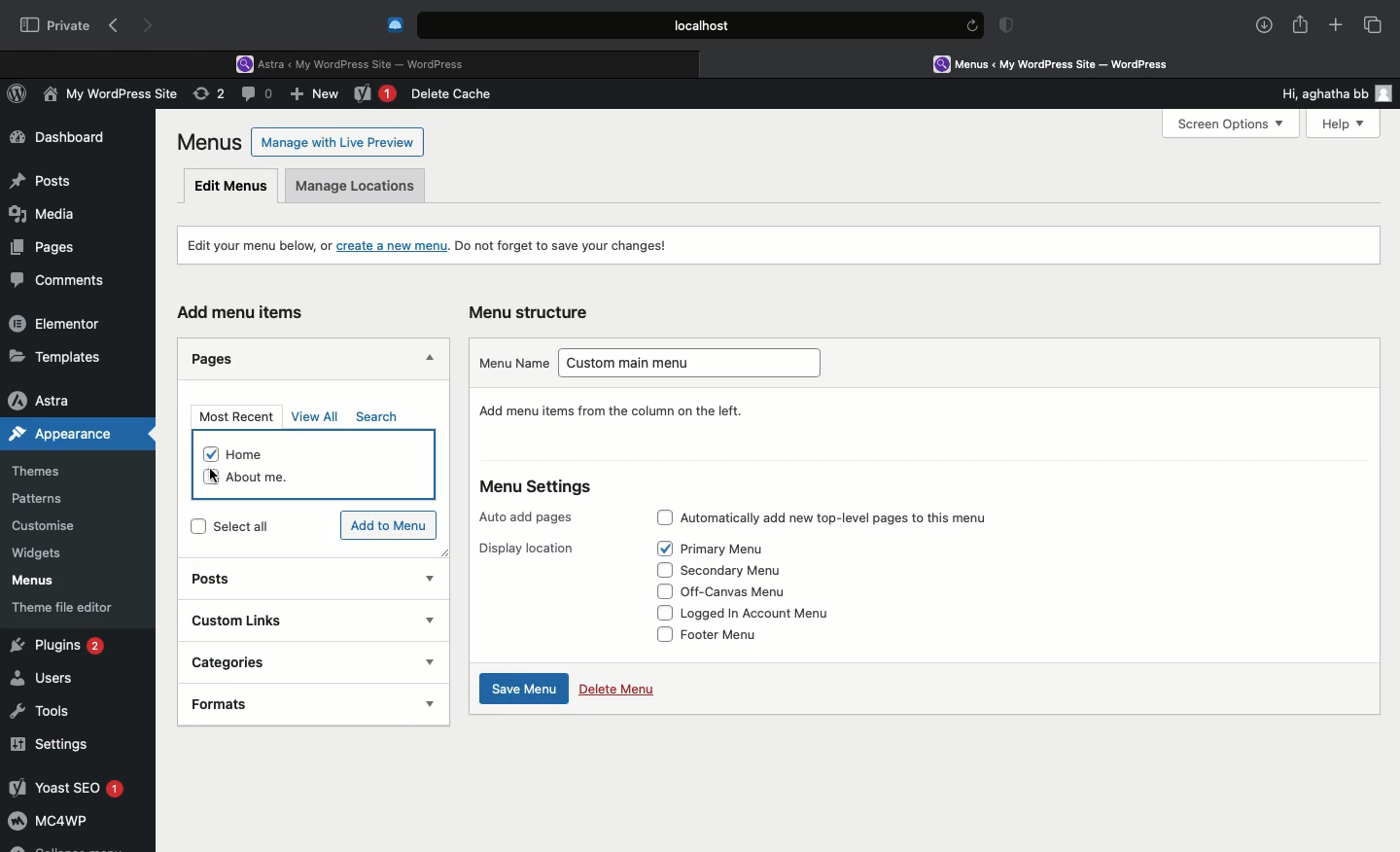  What do you see at coordinates (1229, 124) in the screenshot?
I see `Screen Options` at bounding box center [1229, 124].